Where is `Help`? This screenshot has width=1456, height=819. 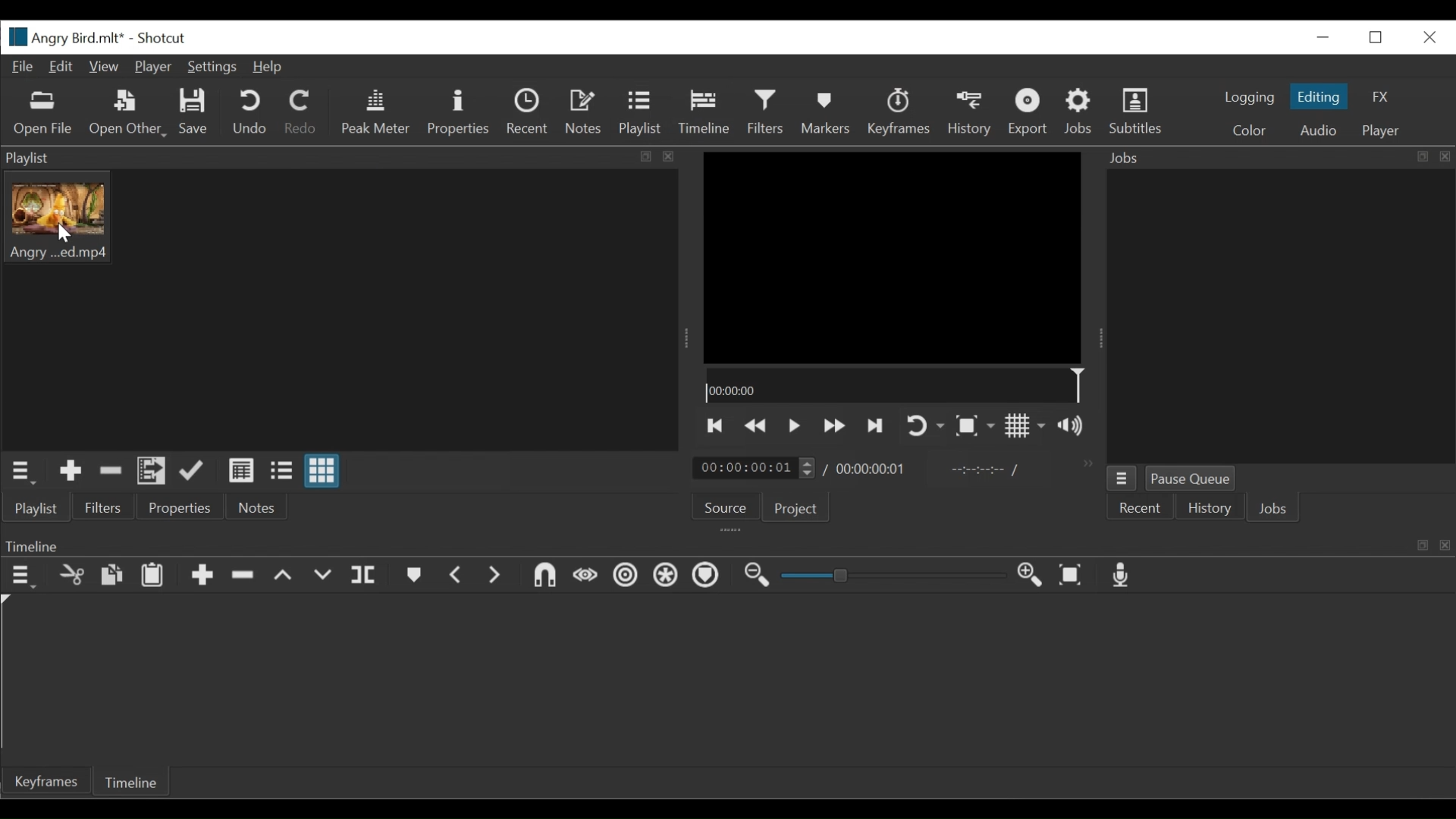
Help is located at coordinates (269, 67).